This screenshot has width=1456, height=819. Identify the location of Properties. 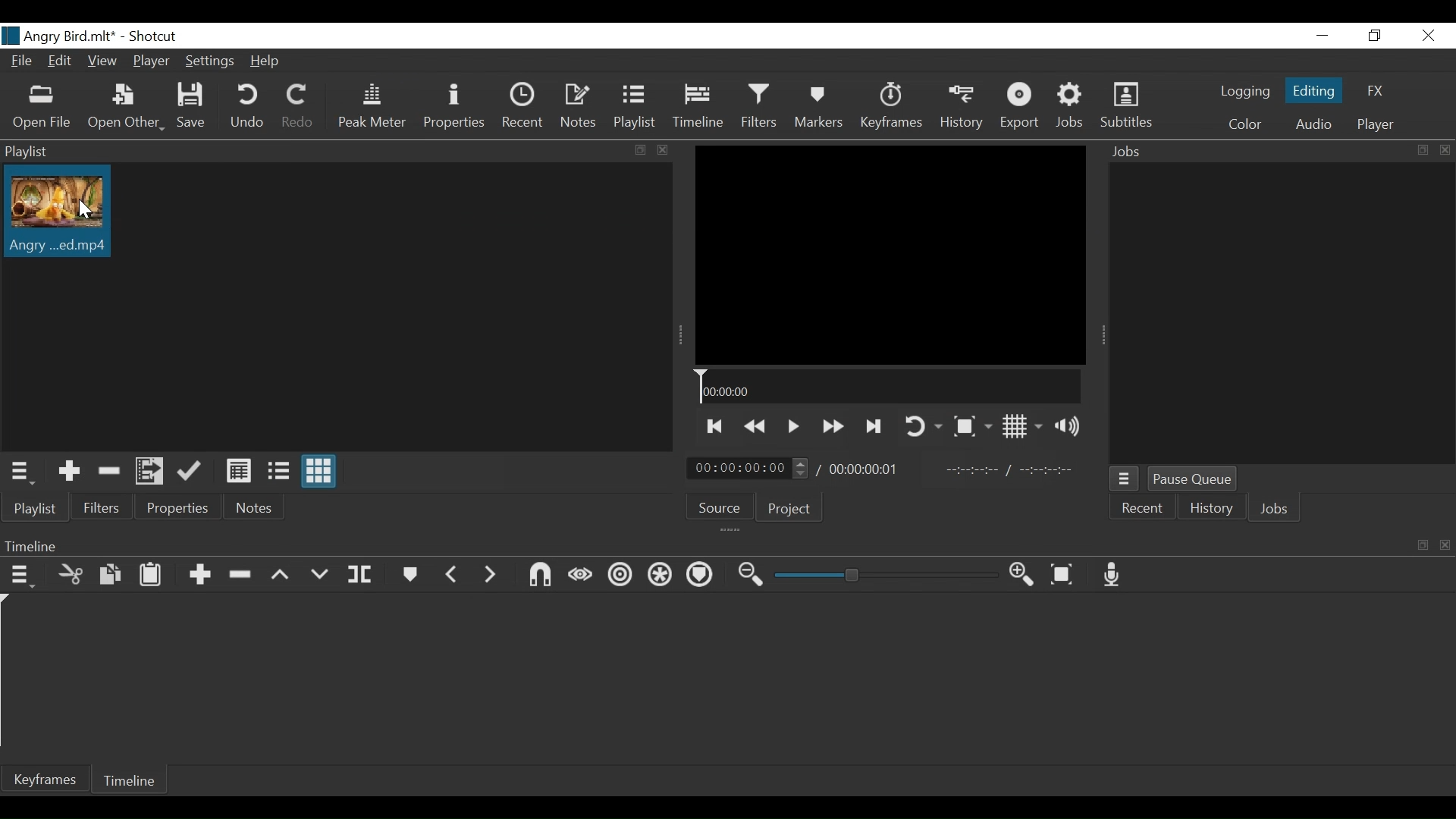
(456, 106).